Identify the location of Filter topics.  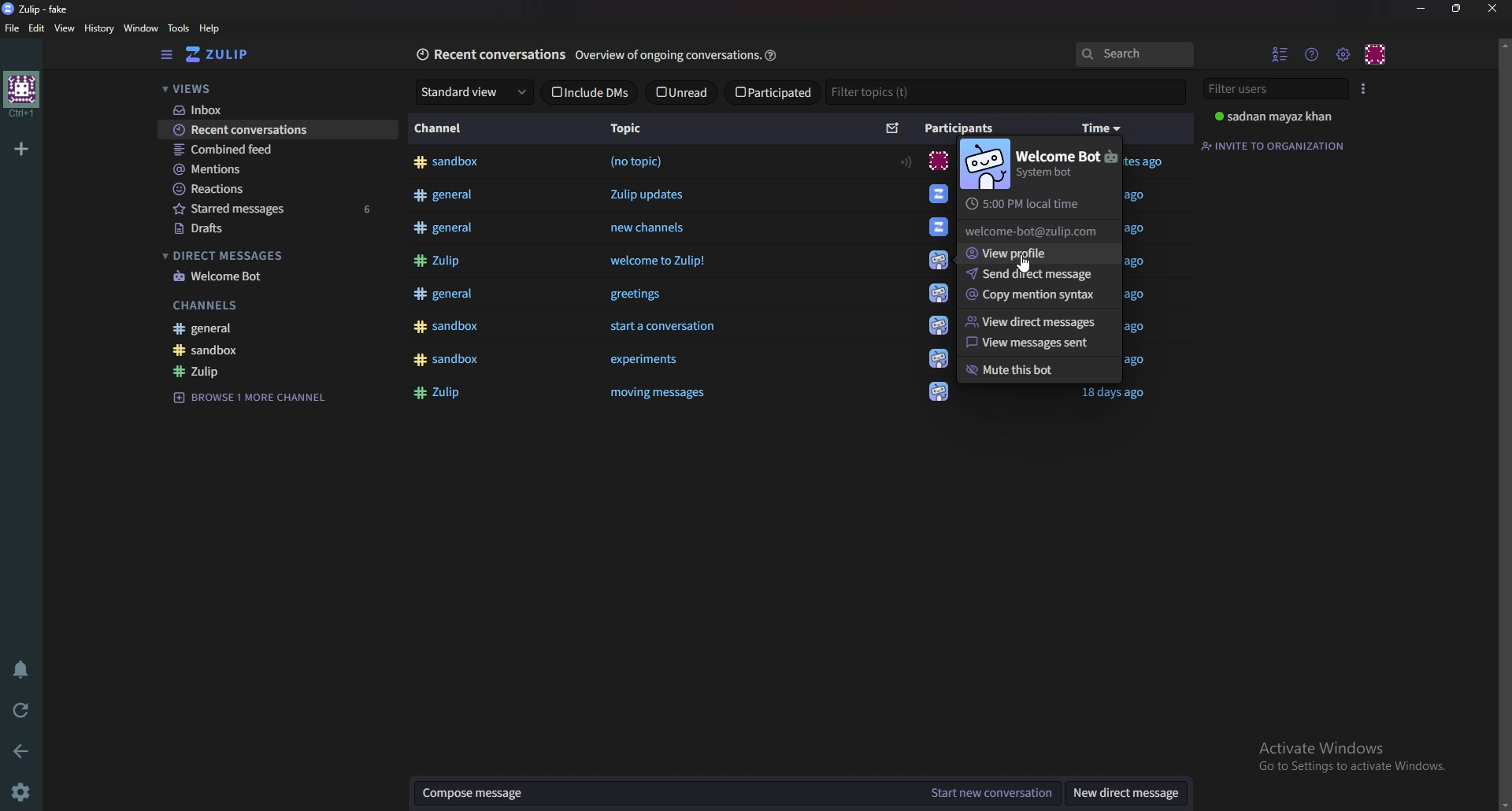
(884, 93).